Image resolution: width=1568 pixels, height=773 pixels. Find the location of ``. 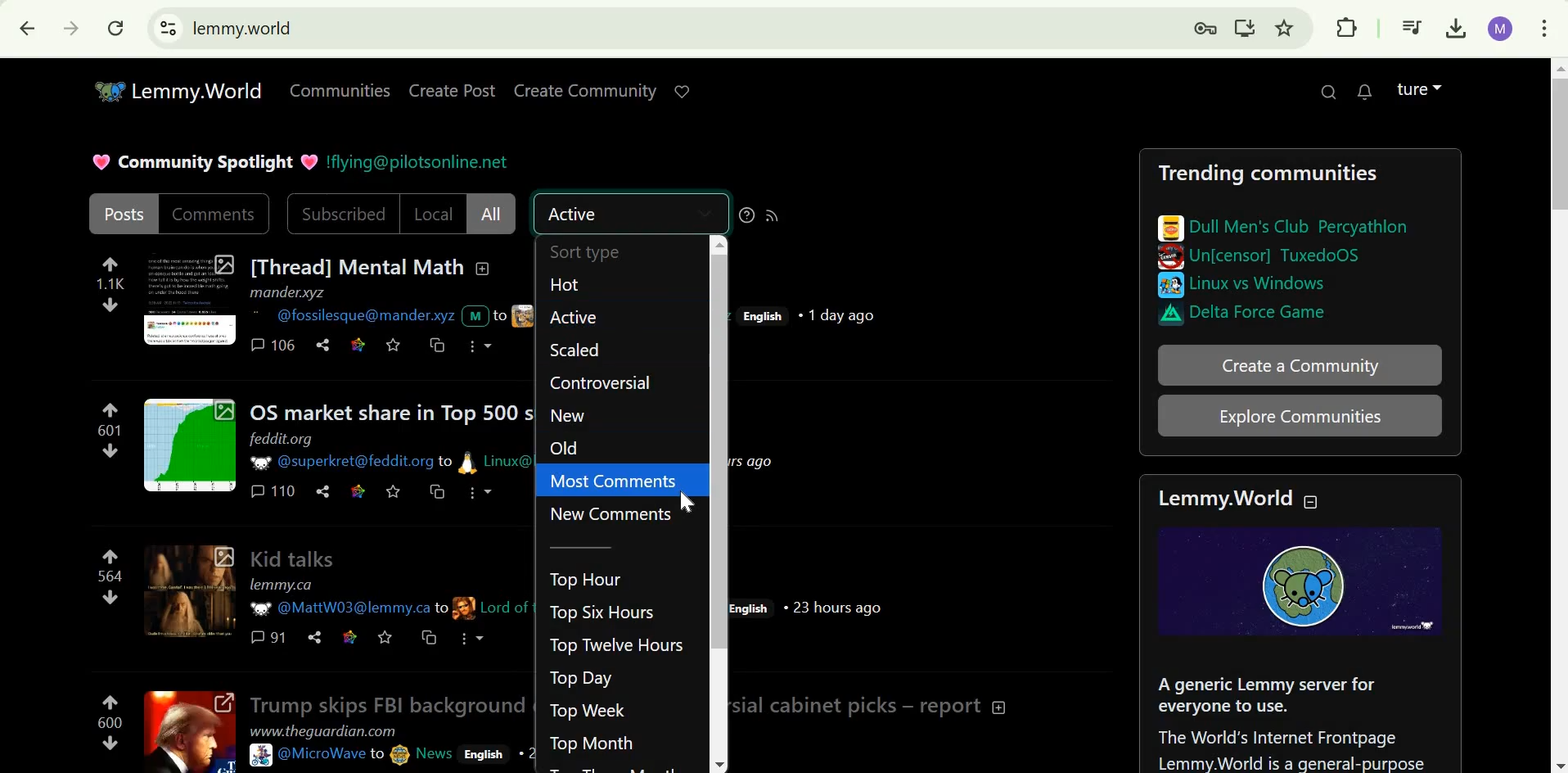

 is located at coordinates (484, 269).